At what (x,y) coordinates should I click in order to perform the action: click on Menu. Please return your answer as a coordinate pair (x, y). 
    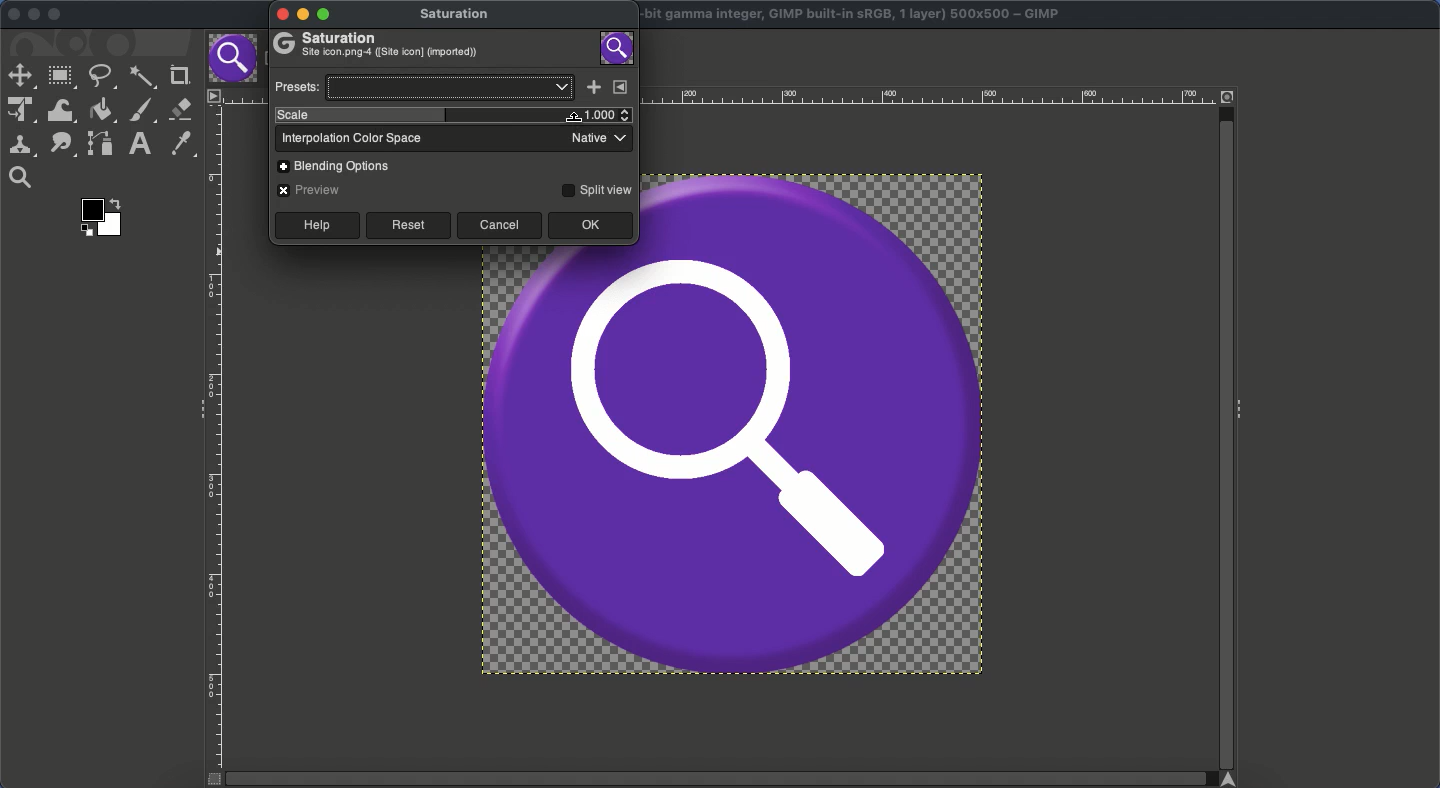
    Looking at the image, I should click on (621, 86).